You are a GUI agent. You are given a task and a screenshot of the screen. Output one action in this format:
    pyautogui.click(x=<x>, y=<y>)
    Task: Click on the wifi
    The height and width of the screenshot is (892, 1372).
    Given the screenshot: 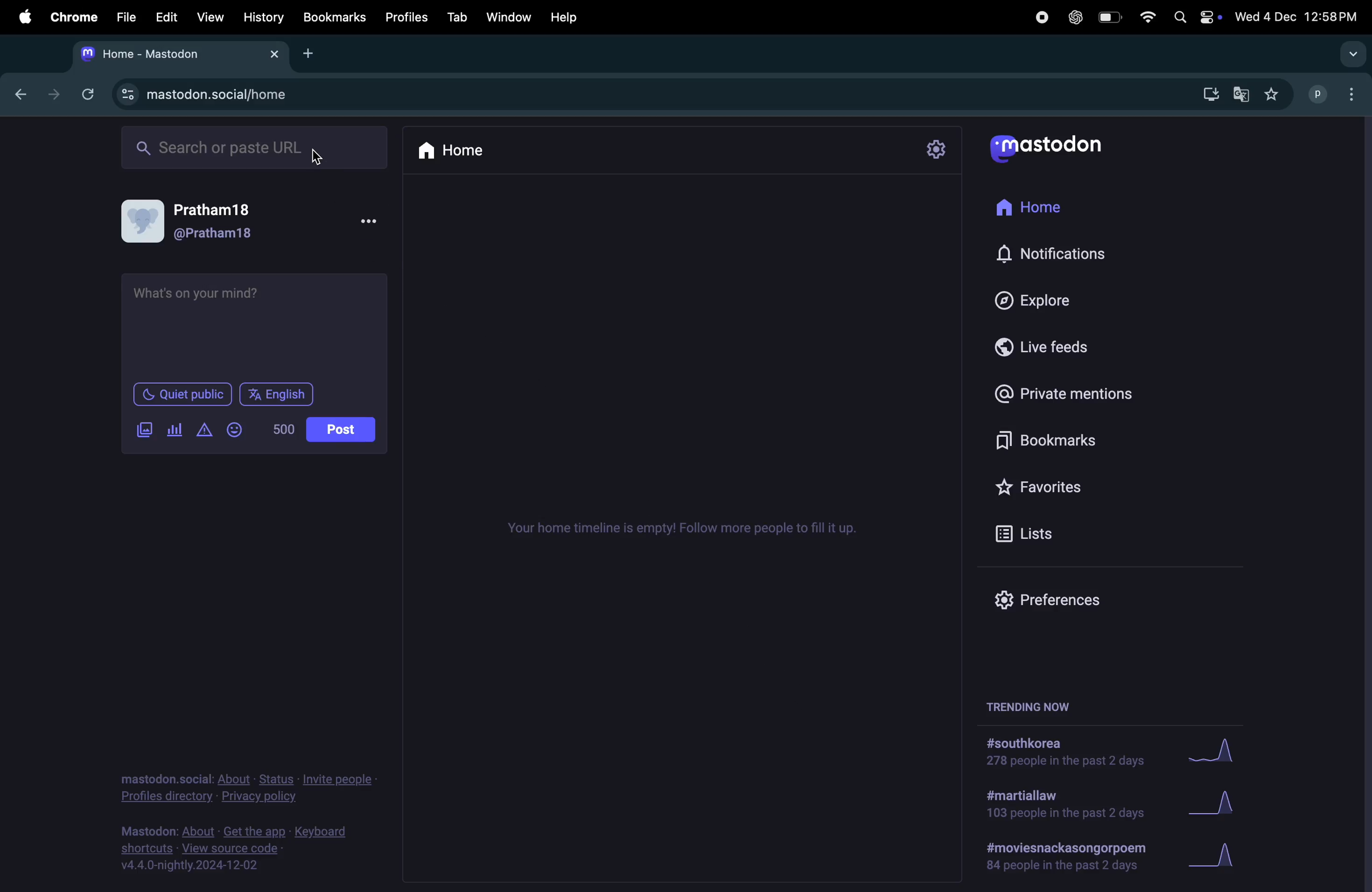 What is the action you would take?
    pyautogui.click(x=1144, y=16)
    